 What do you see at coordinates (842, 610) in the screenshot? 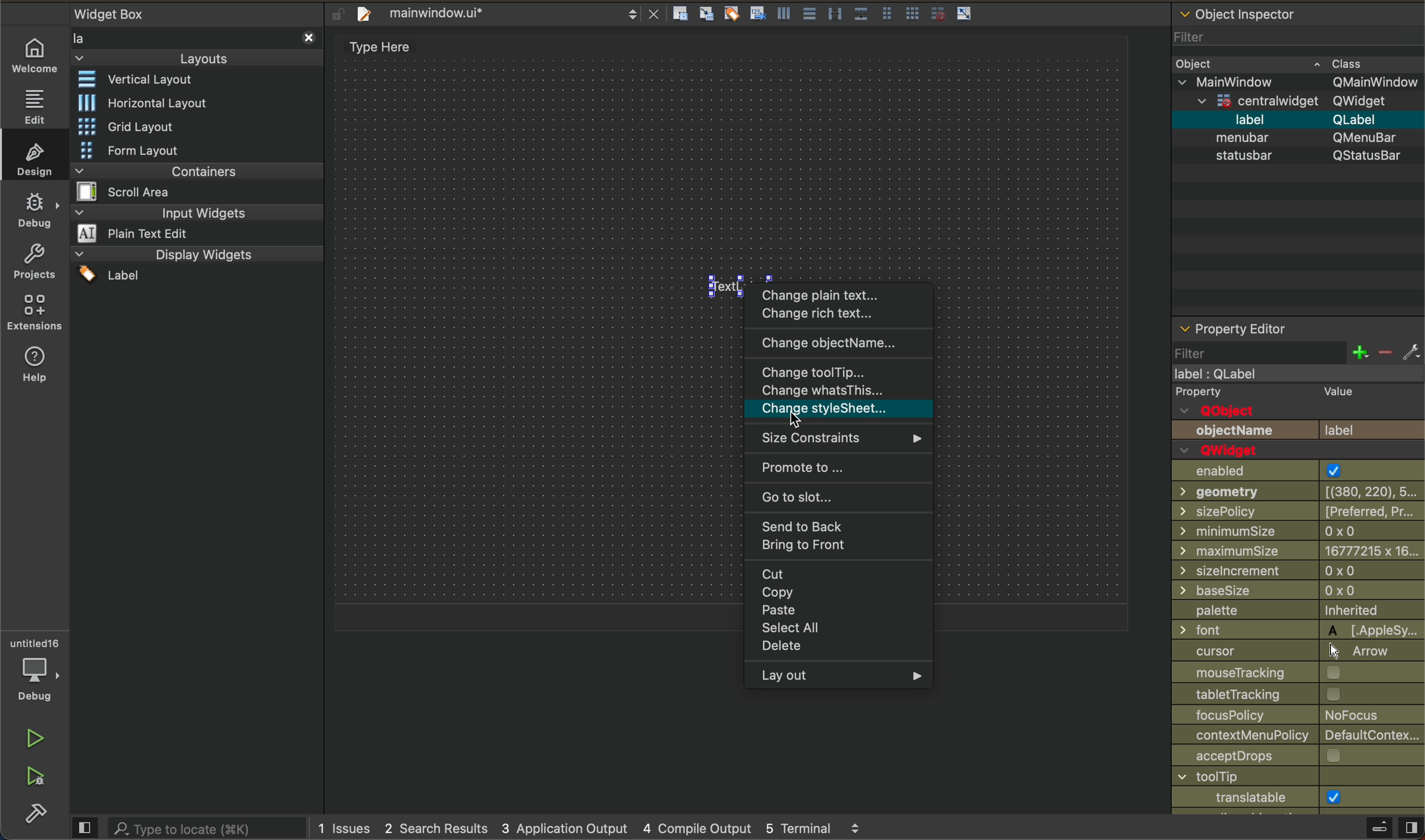
I see `paste` at bounding box center [842, 610].